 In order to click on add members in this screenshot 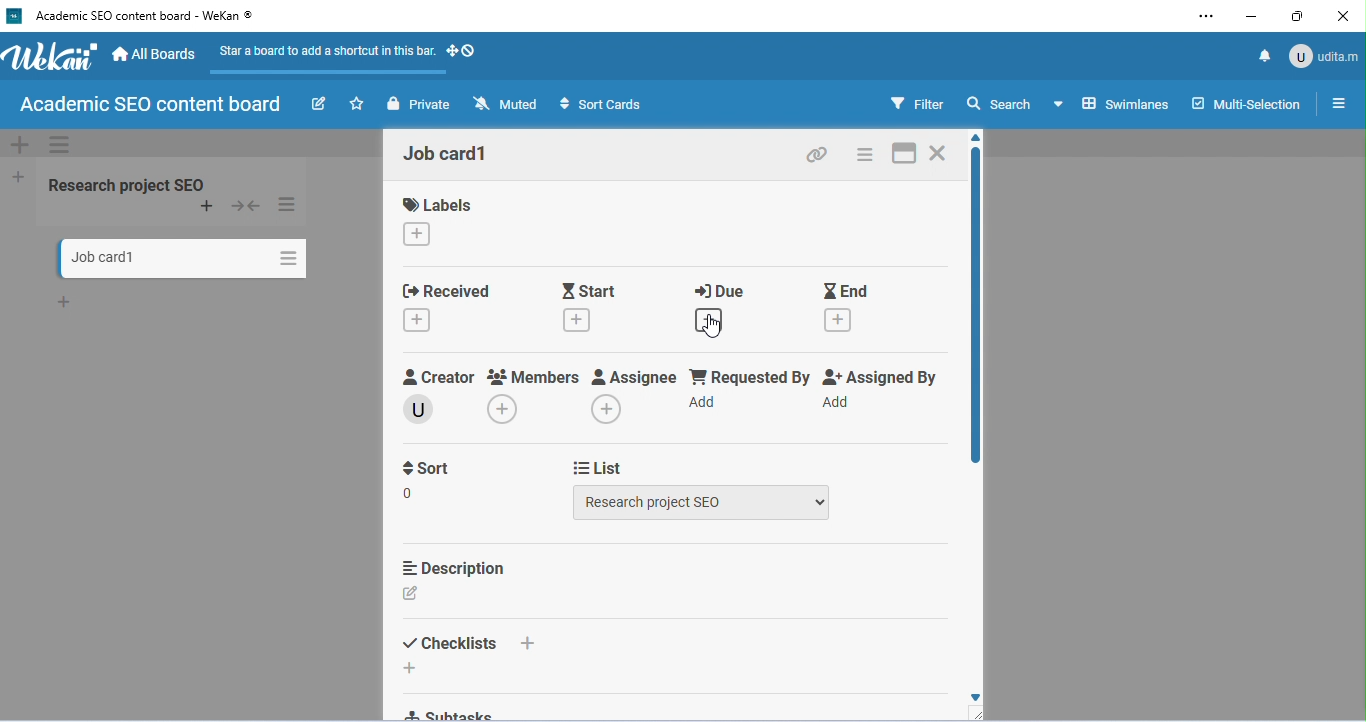, I will do `click(502, 409)`.